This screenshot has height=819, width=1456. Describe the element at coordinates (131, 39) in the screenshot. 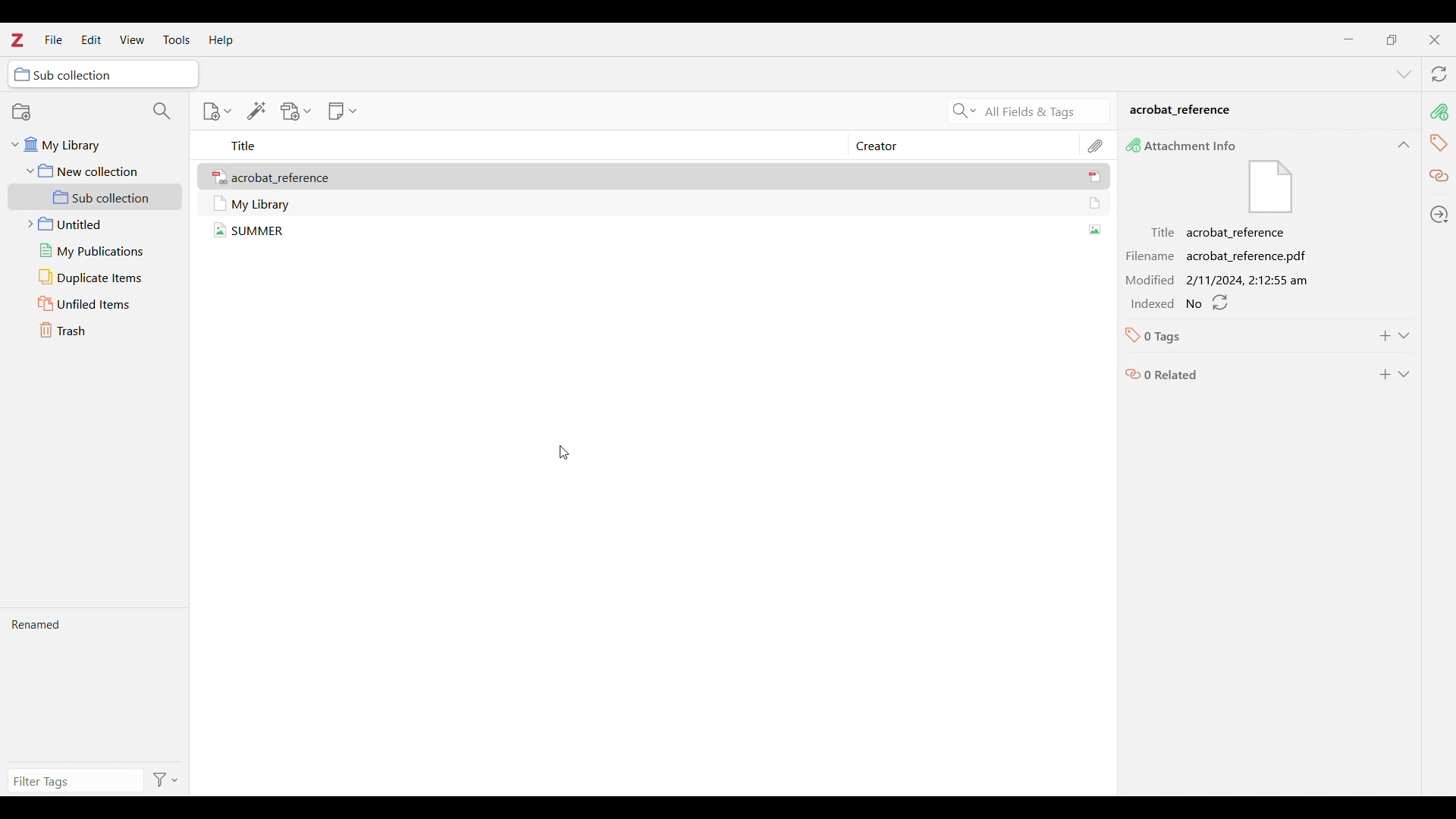

I see `View menu` at that location.